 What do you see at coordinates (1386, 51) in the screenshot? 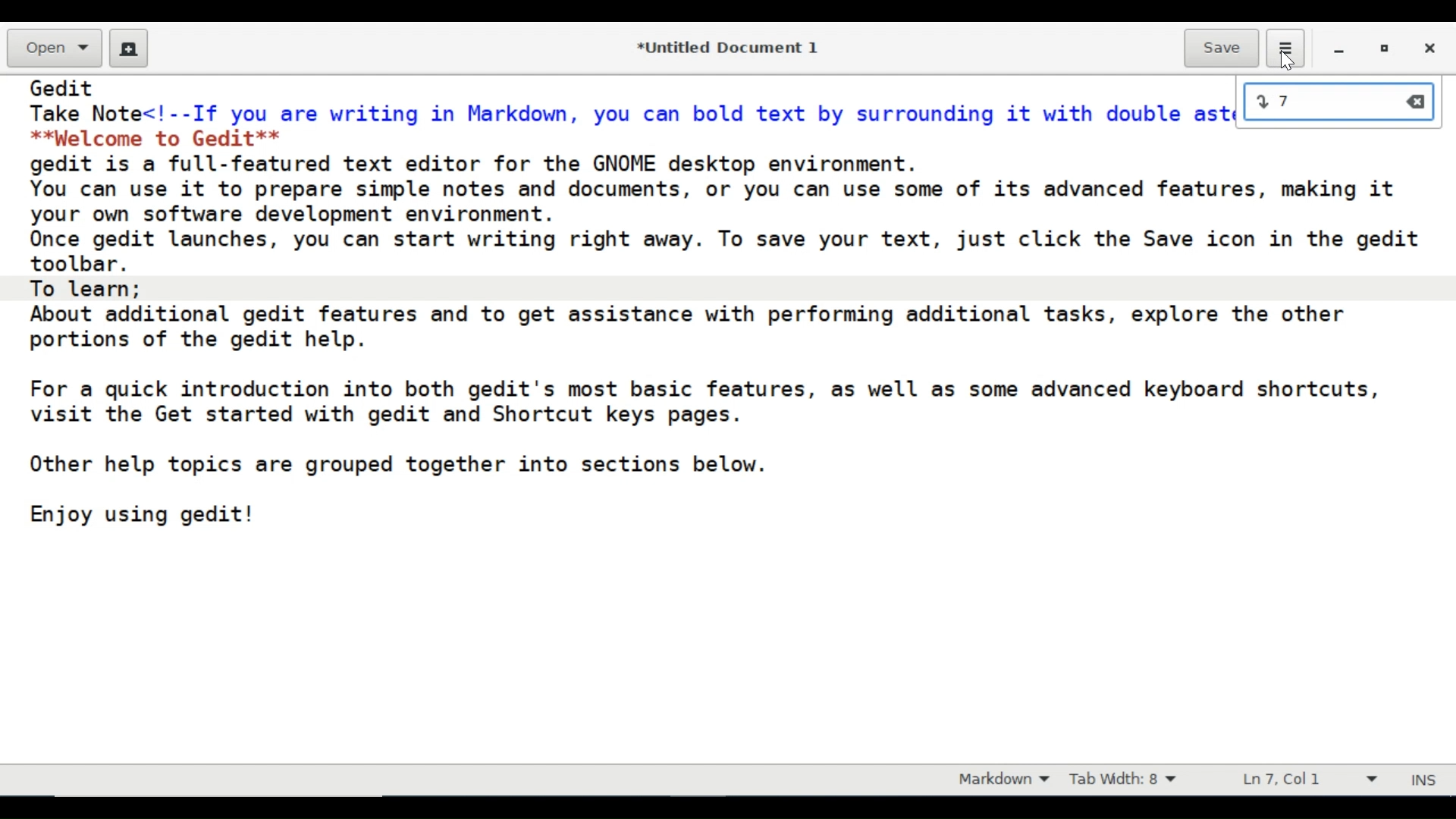
I see `restore` at bounding box center [1386, 51].